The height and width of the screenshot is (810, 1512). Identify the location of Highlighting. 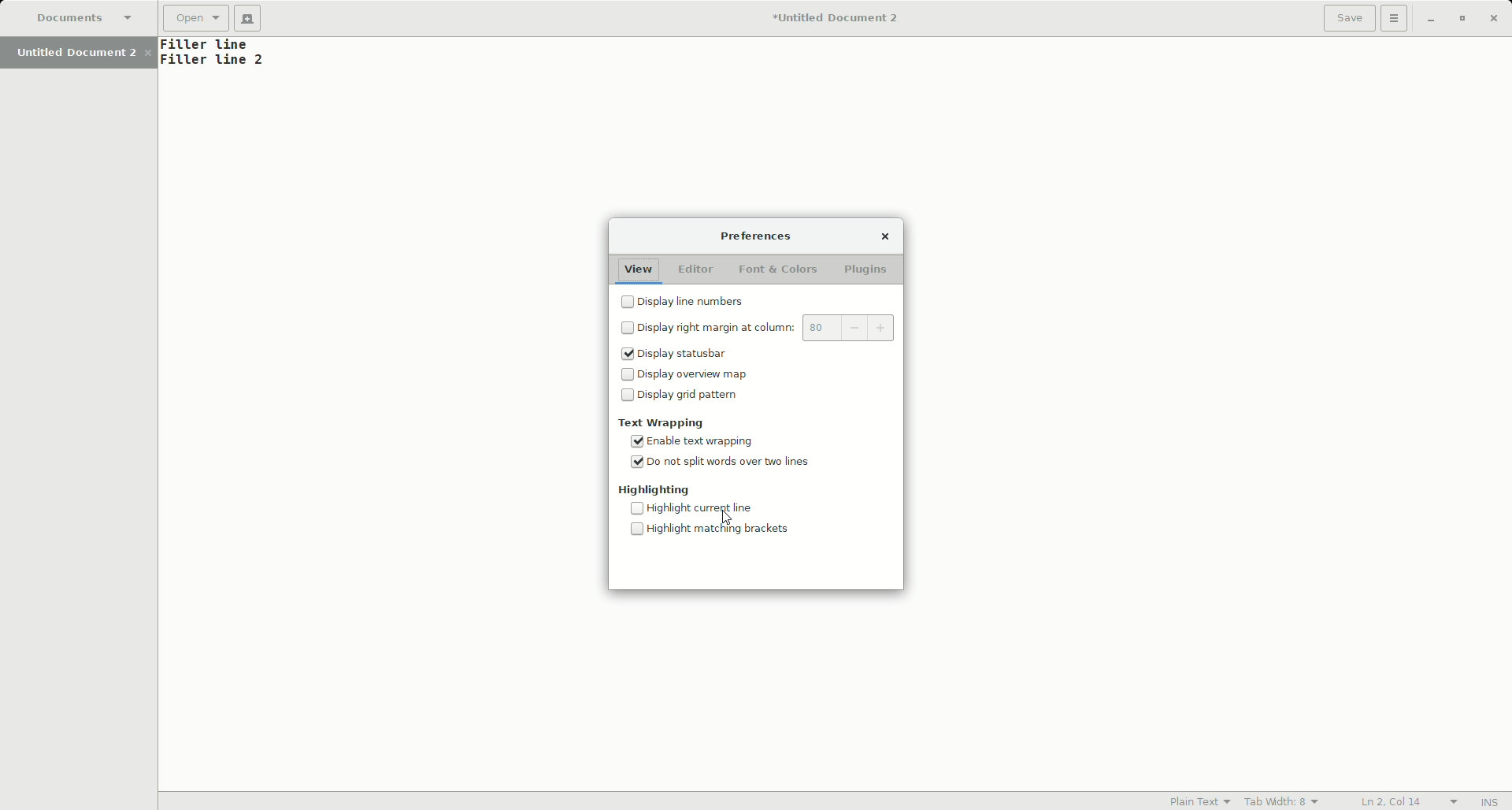
(656, 490).